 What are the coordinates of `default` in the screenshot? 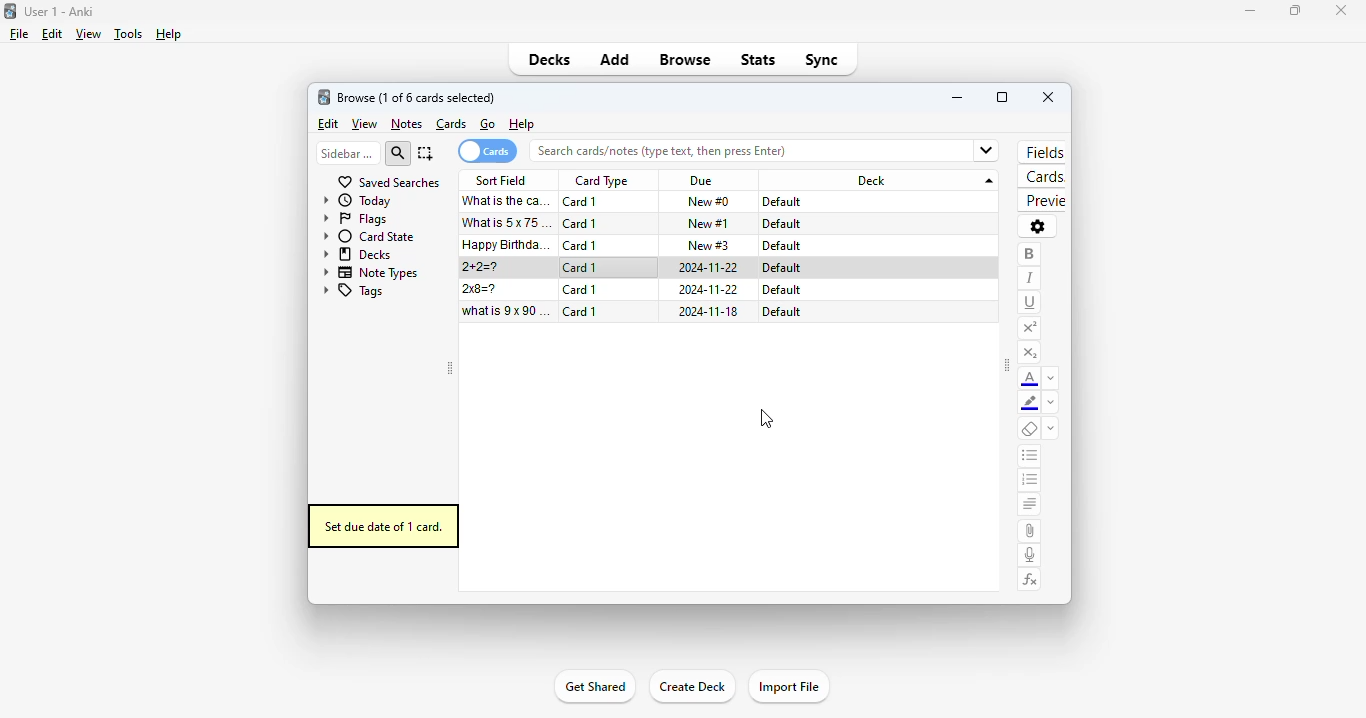 It's located at (781, 290).